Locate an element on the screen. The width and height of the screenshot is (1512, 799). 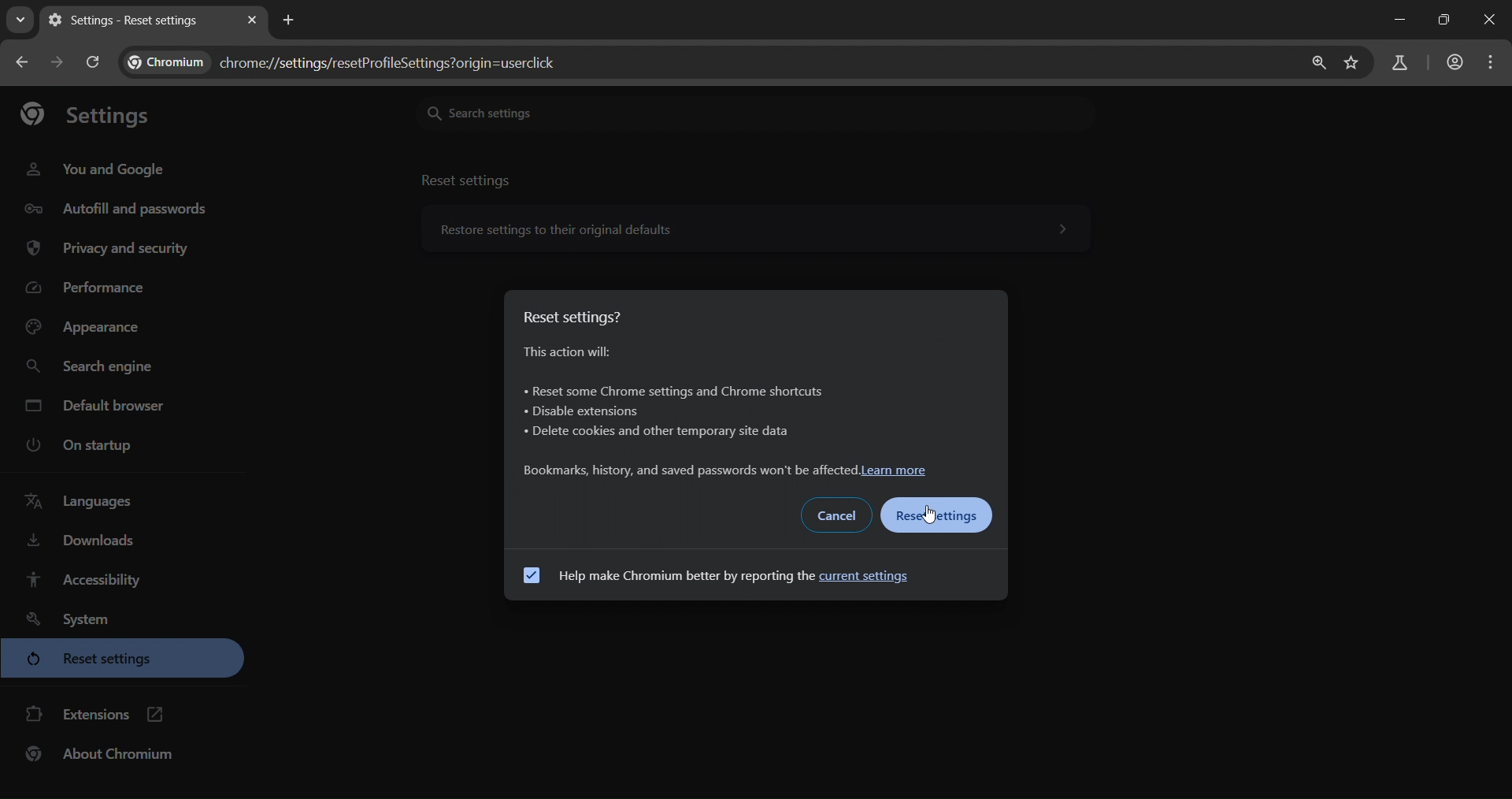
about chromium is located at coordinates (94, 755).